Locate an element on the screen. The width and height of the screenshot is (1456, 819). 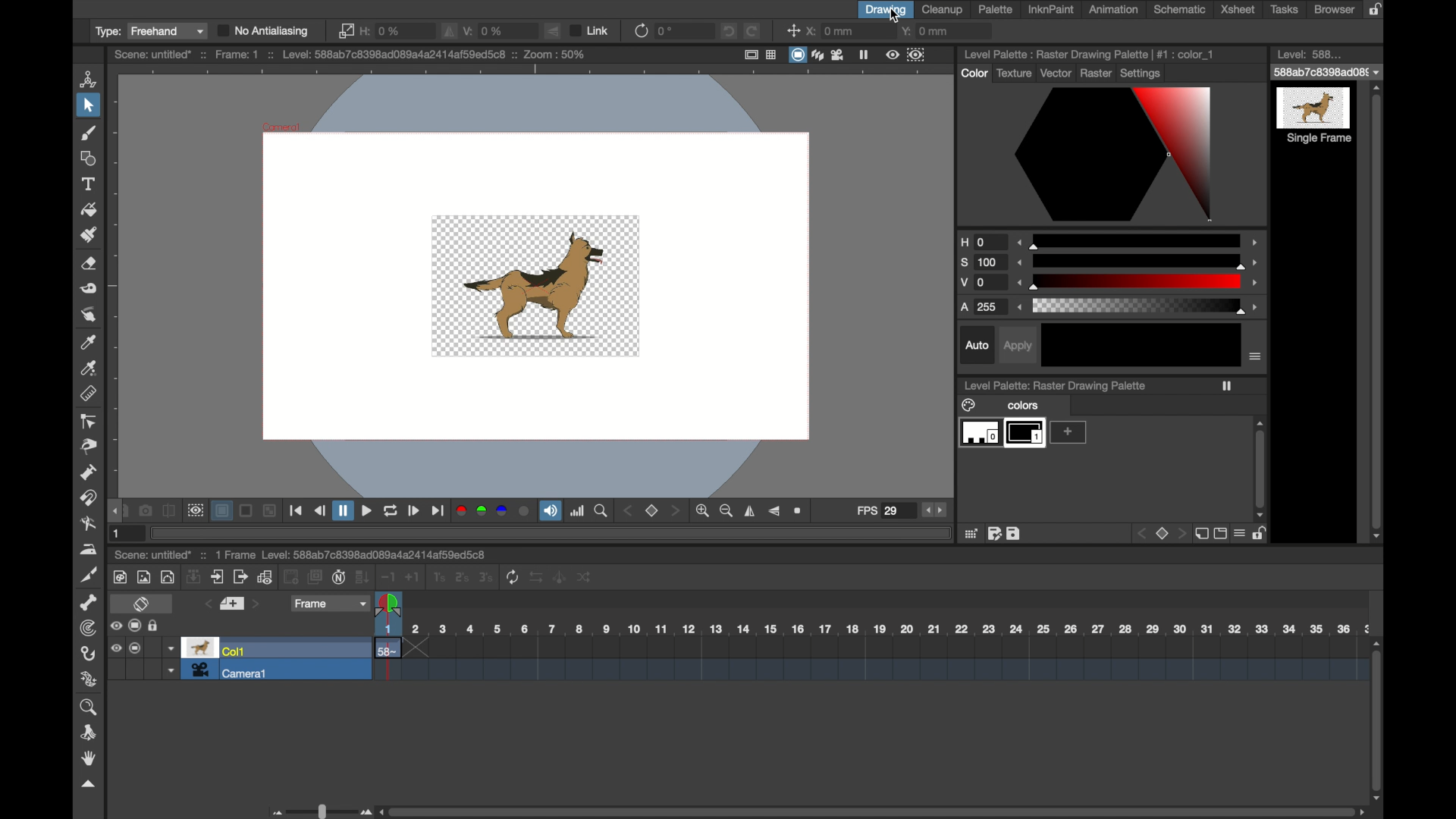
more options is located at coordinates (136, 626).